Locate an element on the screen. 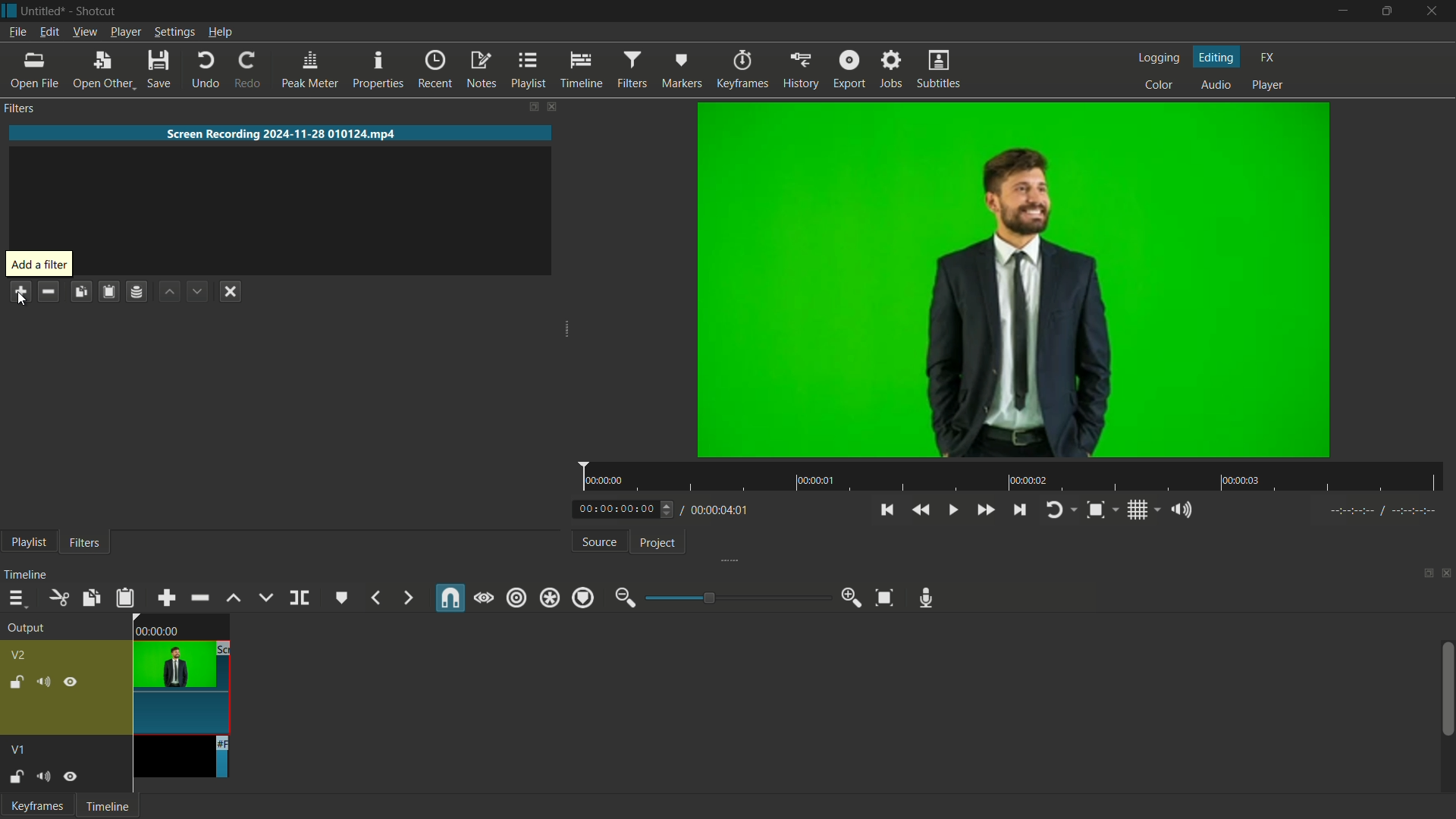  keyframe is located at coordinates (34, 806).